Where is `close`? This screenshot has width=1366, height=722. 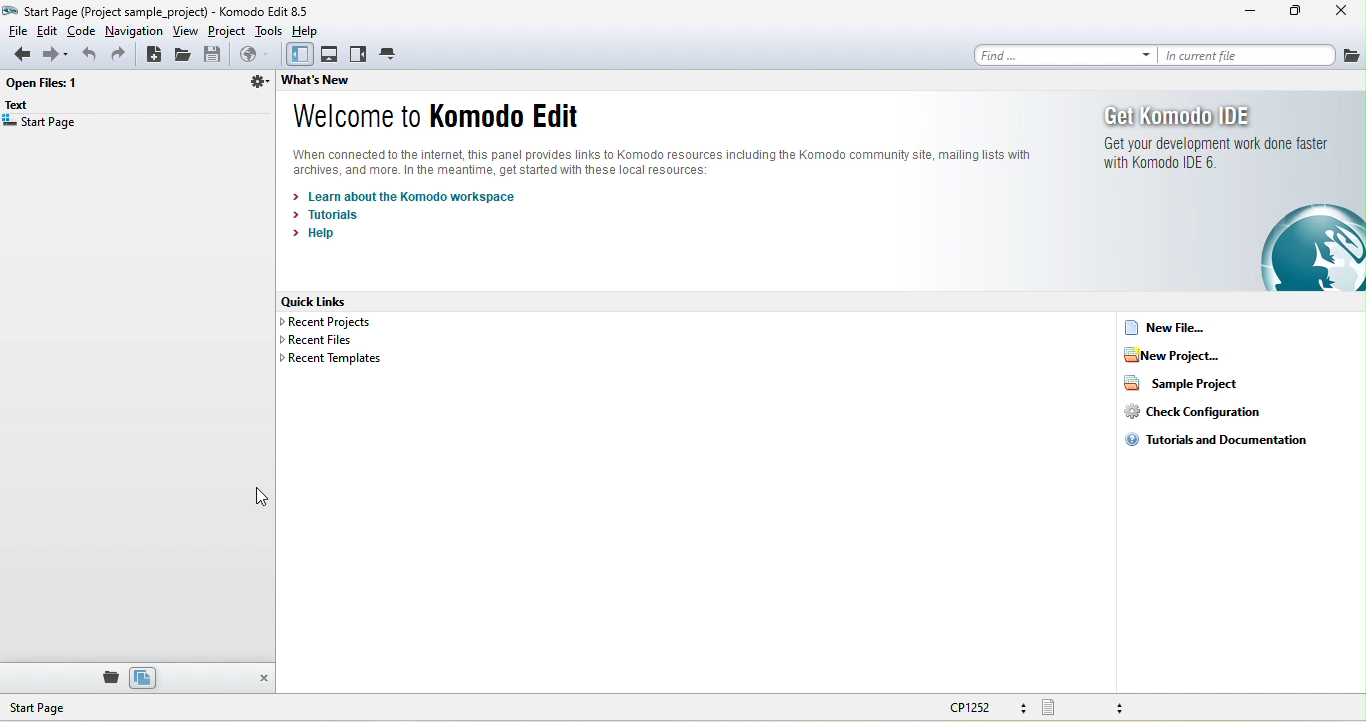 close is located at coordinates (1337, 13).